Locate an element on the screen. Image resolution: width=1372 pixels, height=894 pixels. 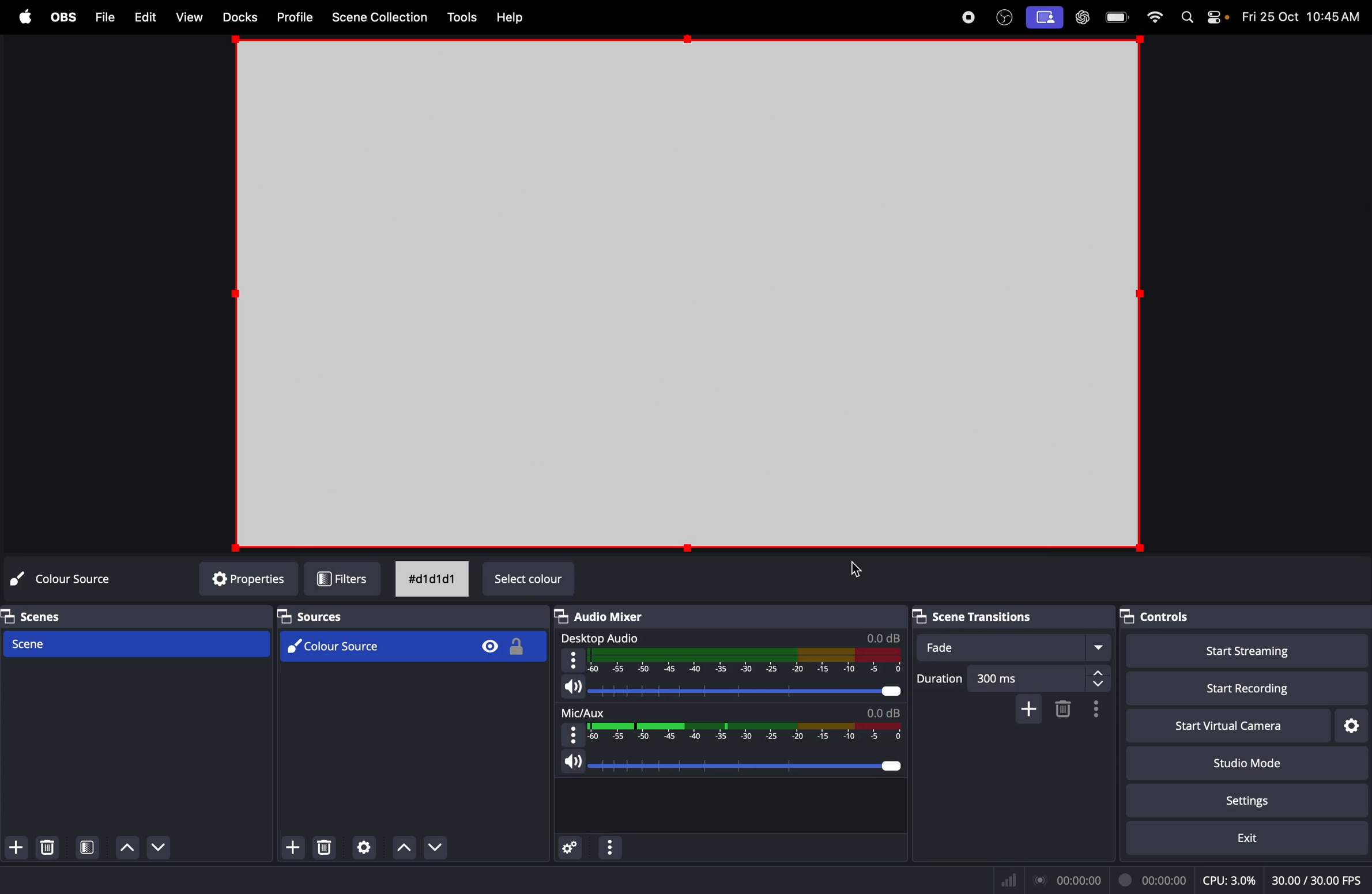
controls is located at coordinates (1155, 617).